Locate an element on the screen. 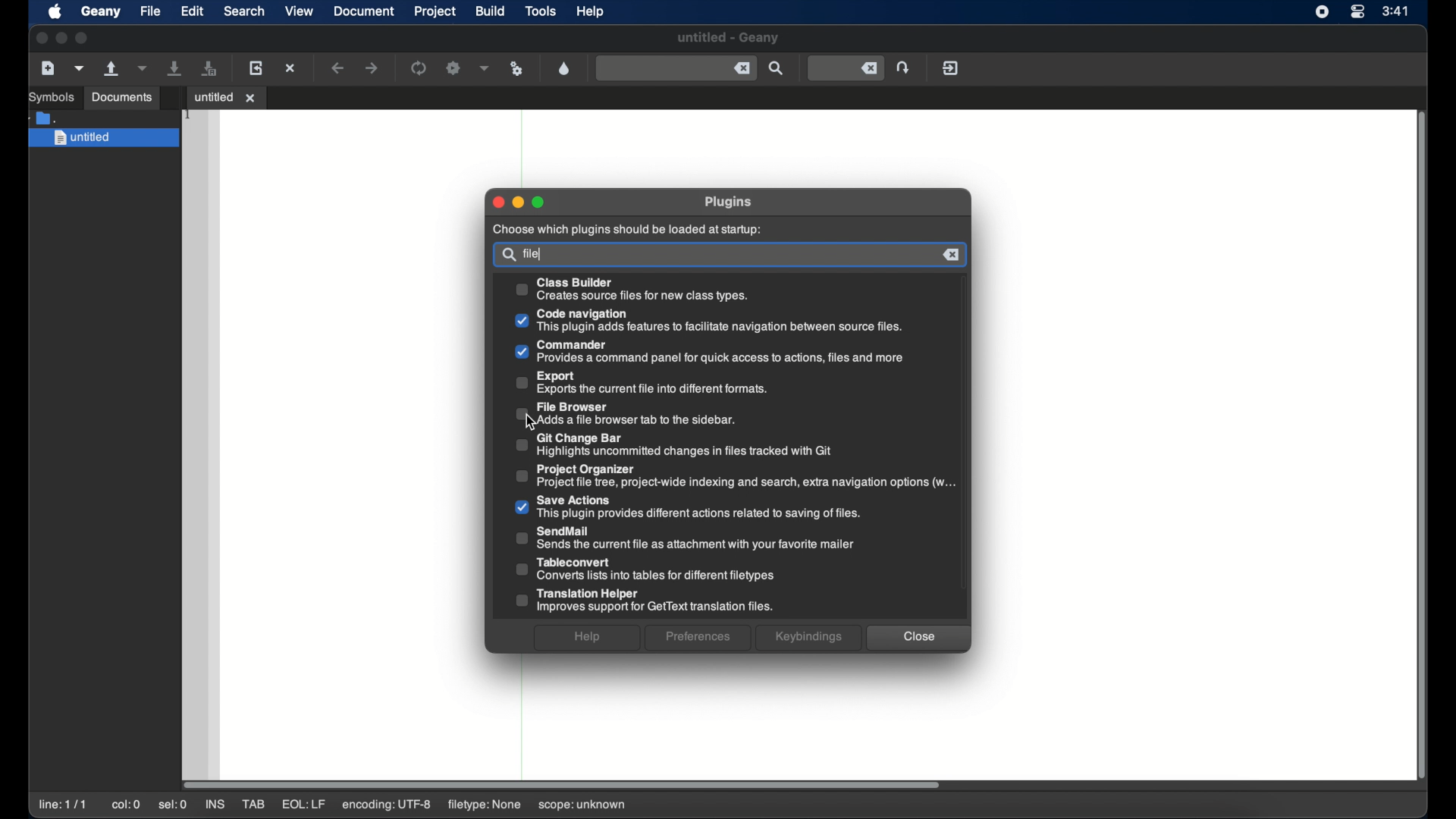 The height and width of the screenshot is (819, 1456). encoding: utf-8 is located at coordinates (387, 805).